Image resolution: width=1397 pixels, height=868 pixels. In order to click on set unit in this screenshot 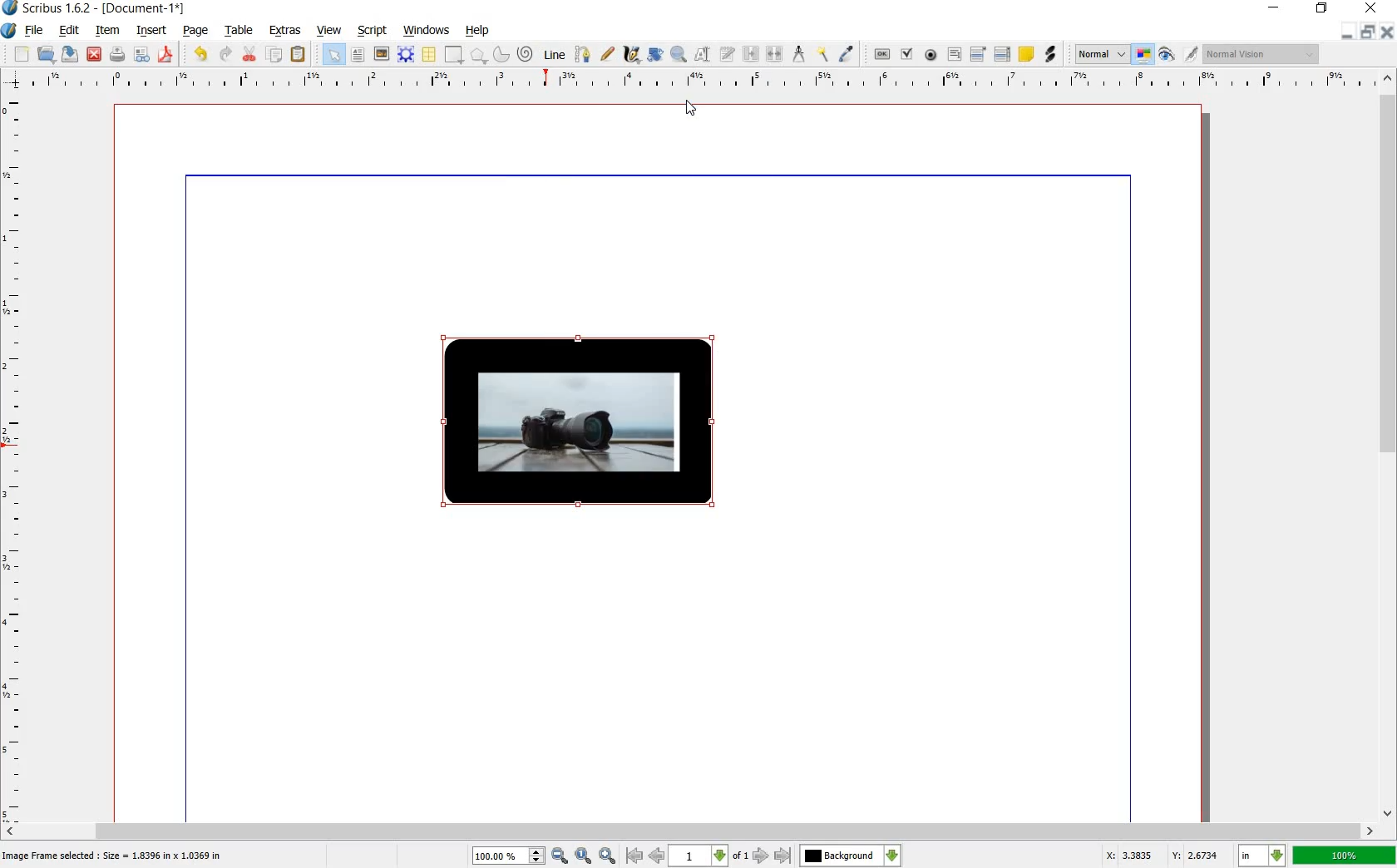, I will do `click(1261, 856)`.